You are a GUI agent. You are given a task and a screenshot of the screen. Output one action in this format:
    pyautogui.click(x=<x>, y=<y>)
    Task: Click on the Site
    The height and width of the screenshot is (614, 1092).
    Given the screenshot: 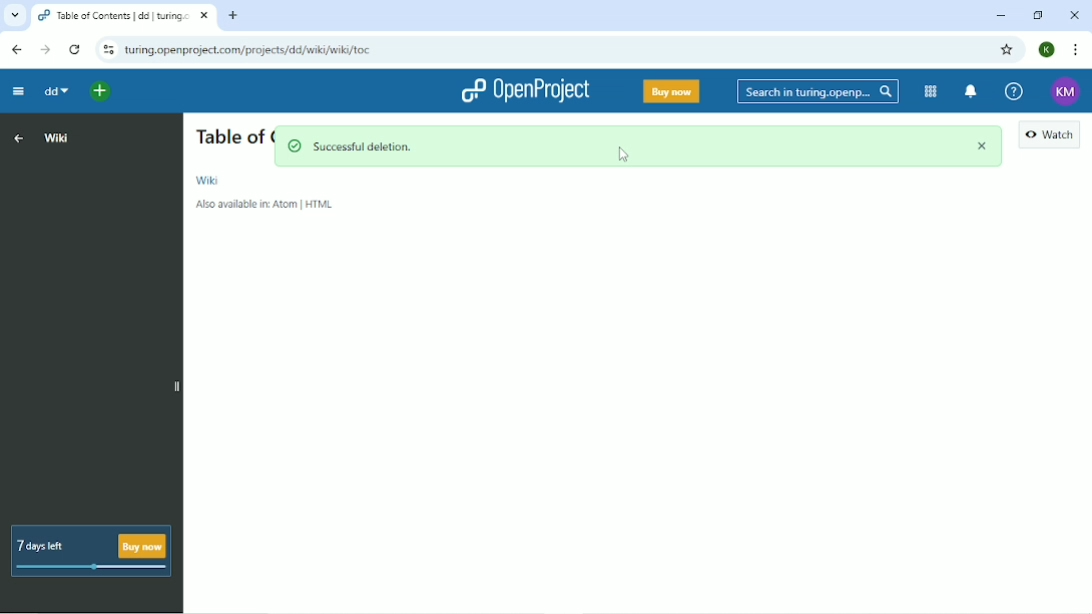 What is the action you would take?
    pyautogui.click(x=250, y=51)
    